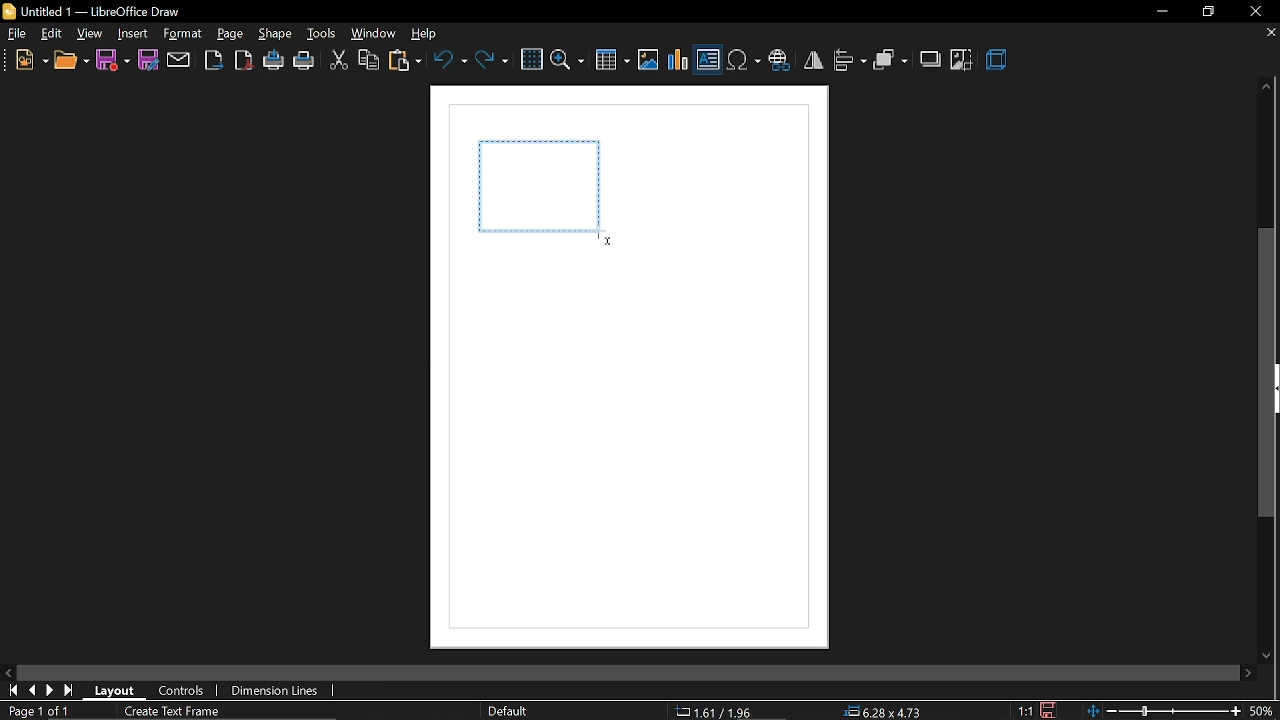 This screenshot has height=720, width=1280. Describe the element at coordinates (1166, 711) in the screenshot. I see `change zoom` at that location.